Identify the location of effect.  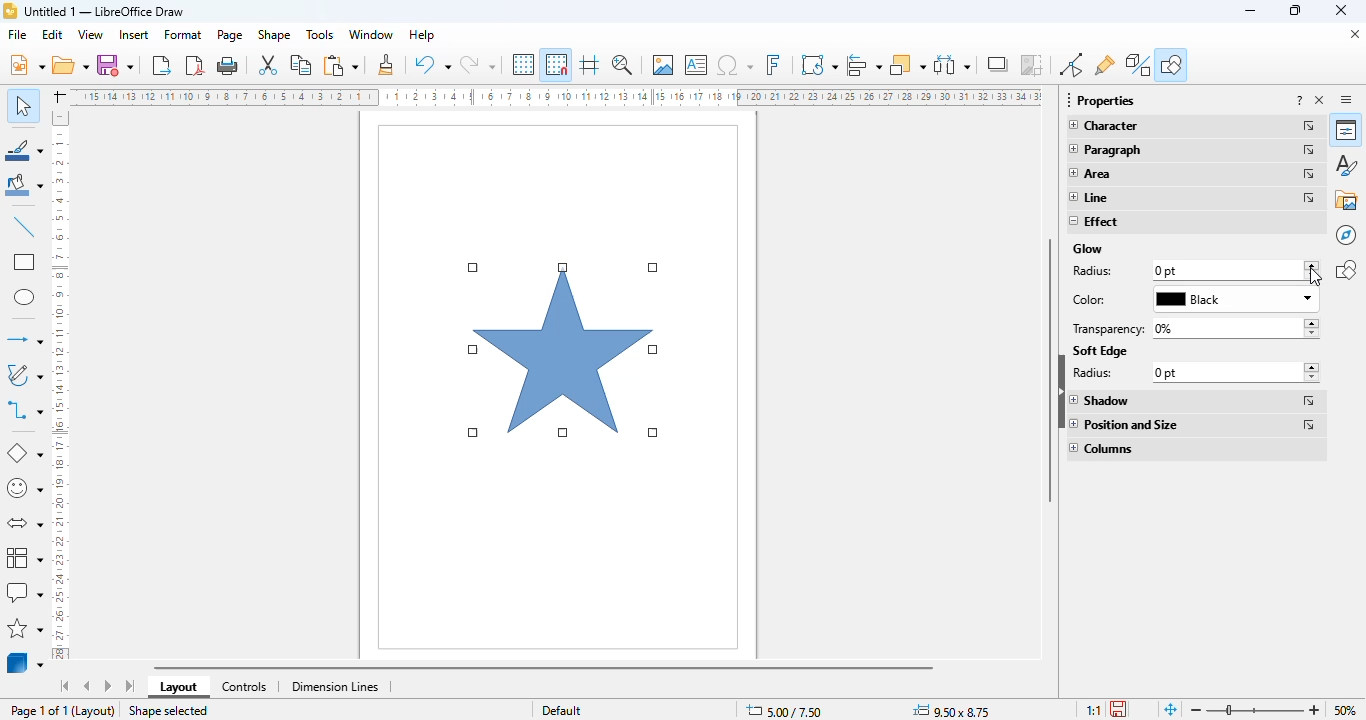
(1095, 221).